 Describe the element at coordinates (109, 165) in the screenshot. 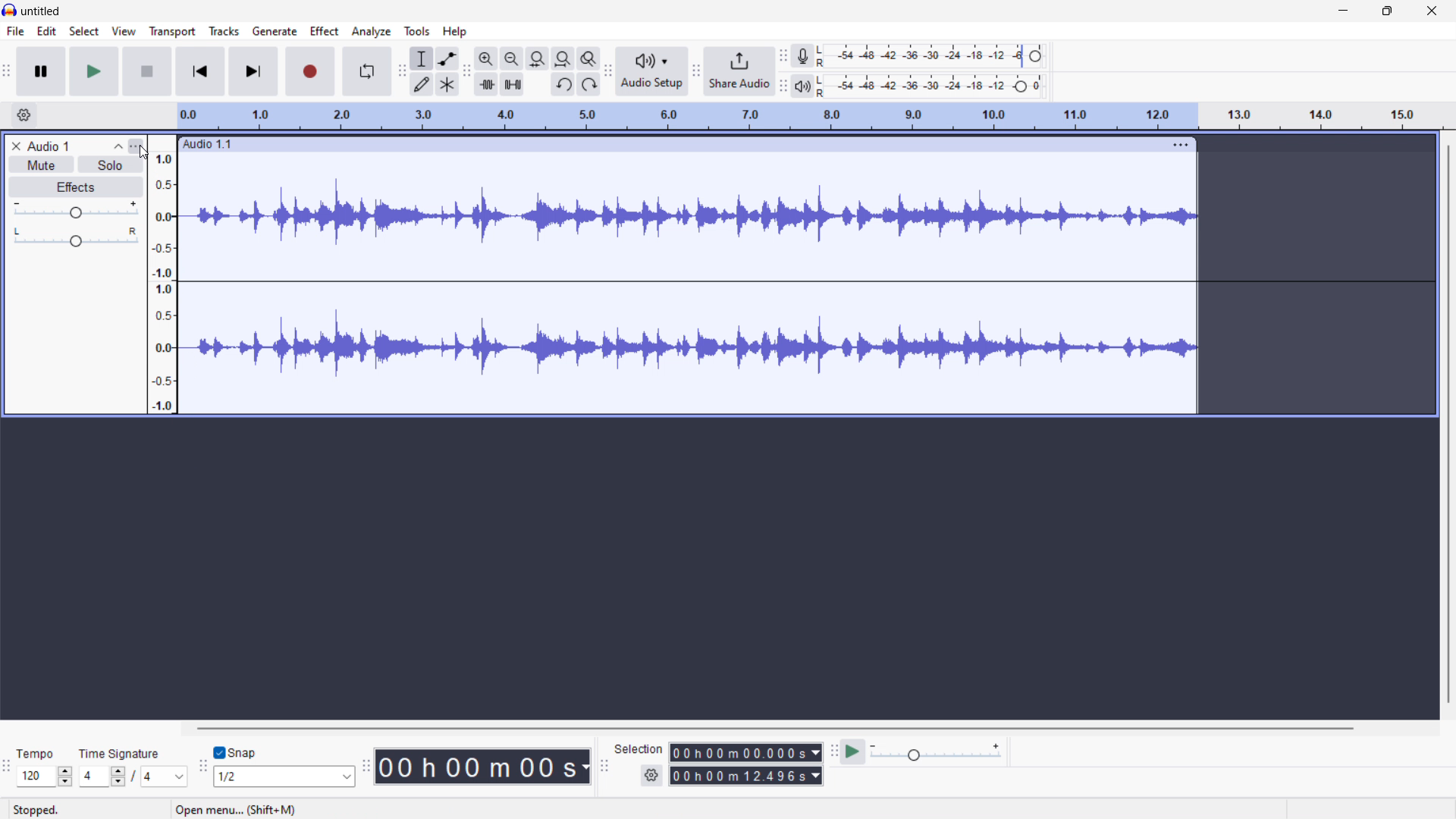

I see `solo` at that location.